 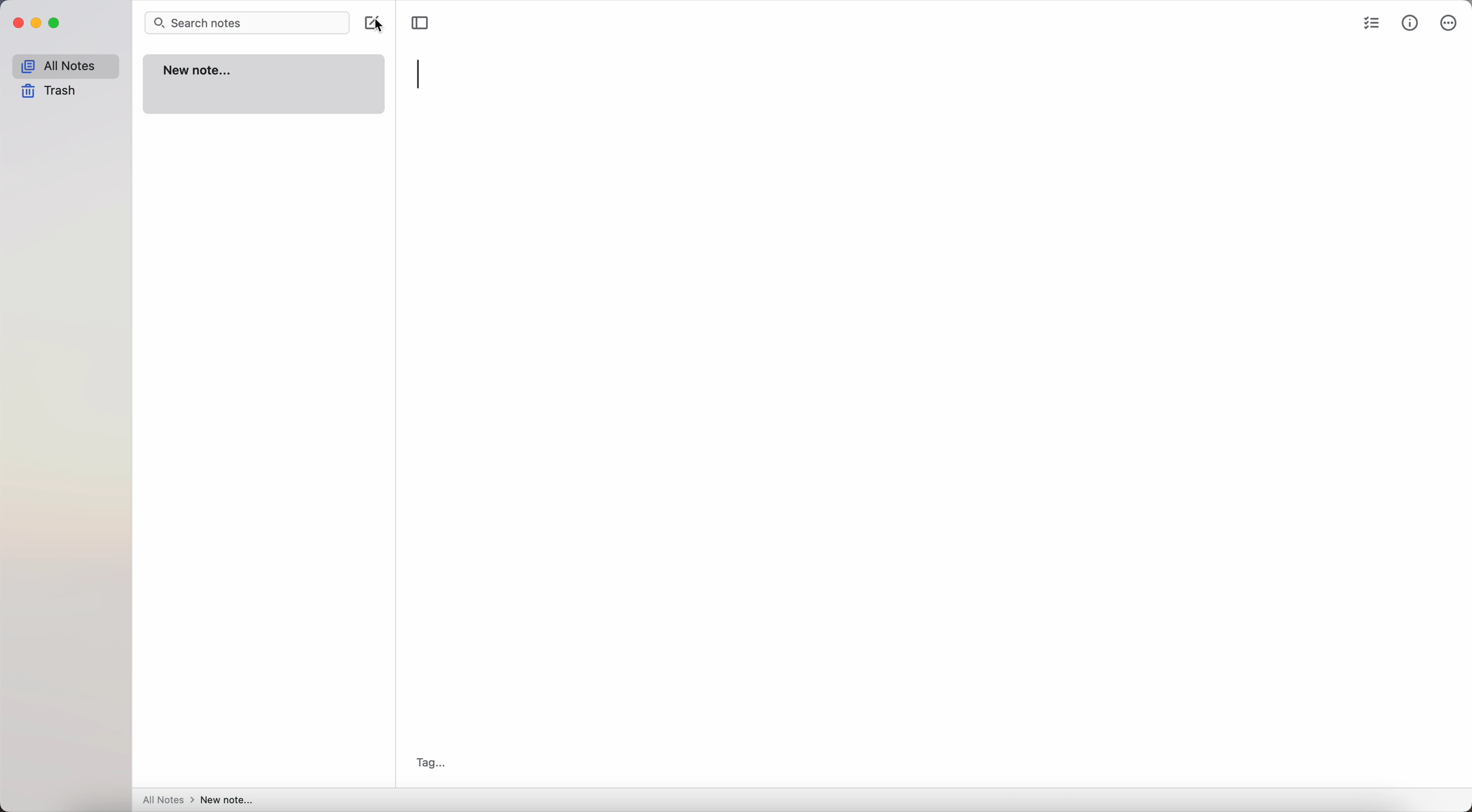 What do you see at coordinates (16, 23) in the screenshot?
I see `close Simplenote` at bounding box center [16, 23].